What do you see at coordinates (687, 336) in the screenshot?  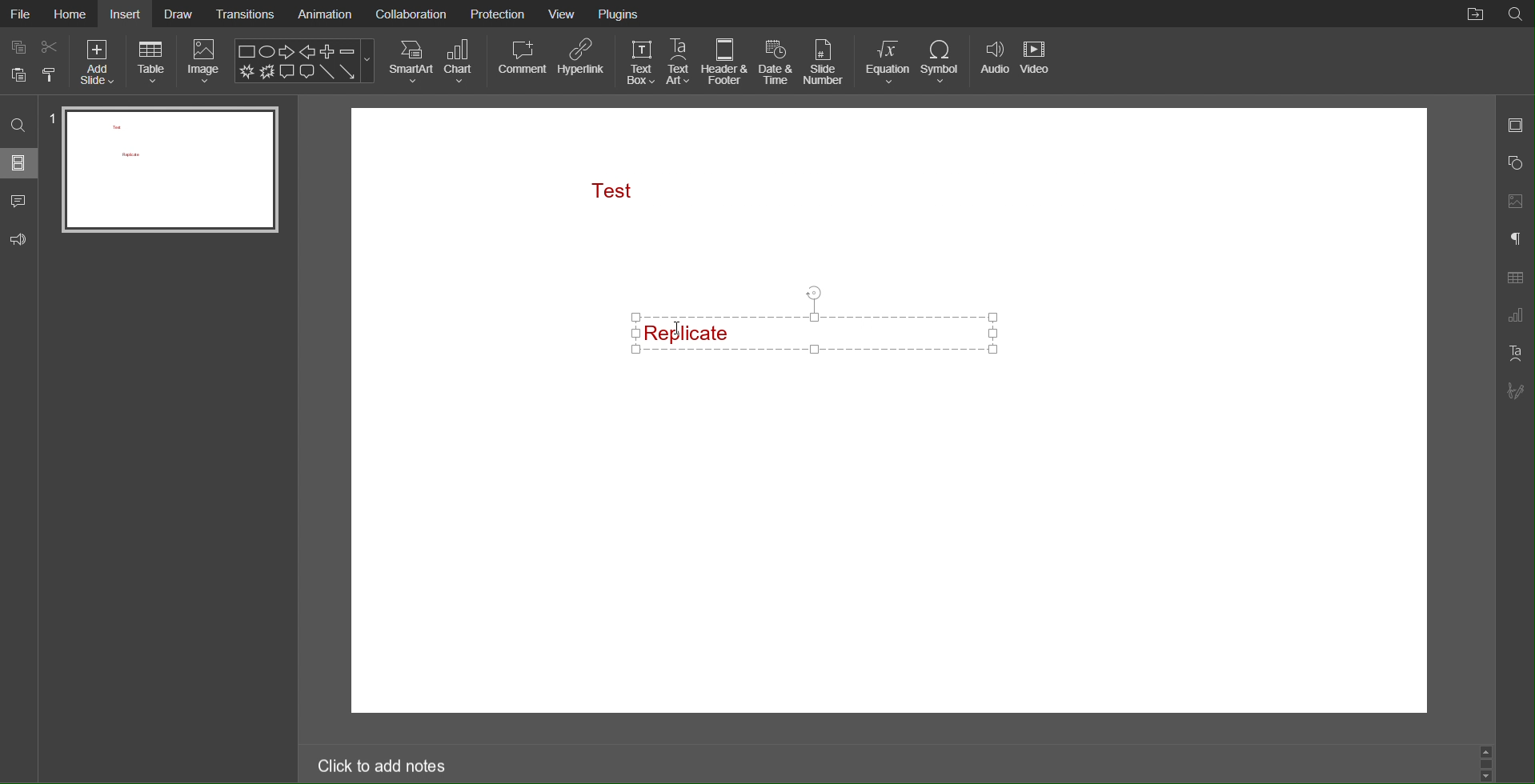 I see `Cursor` at bounding box center [687, 336].